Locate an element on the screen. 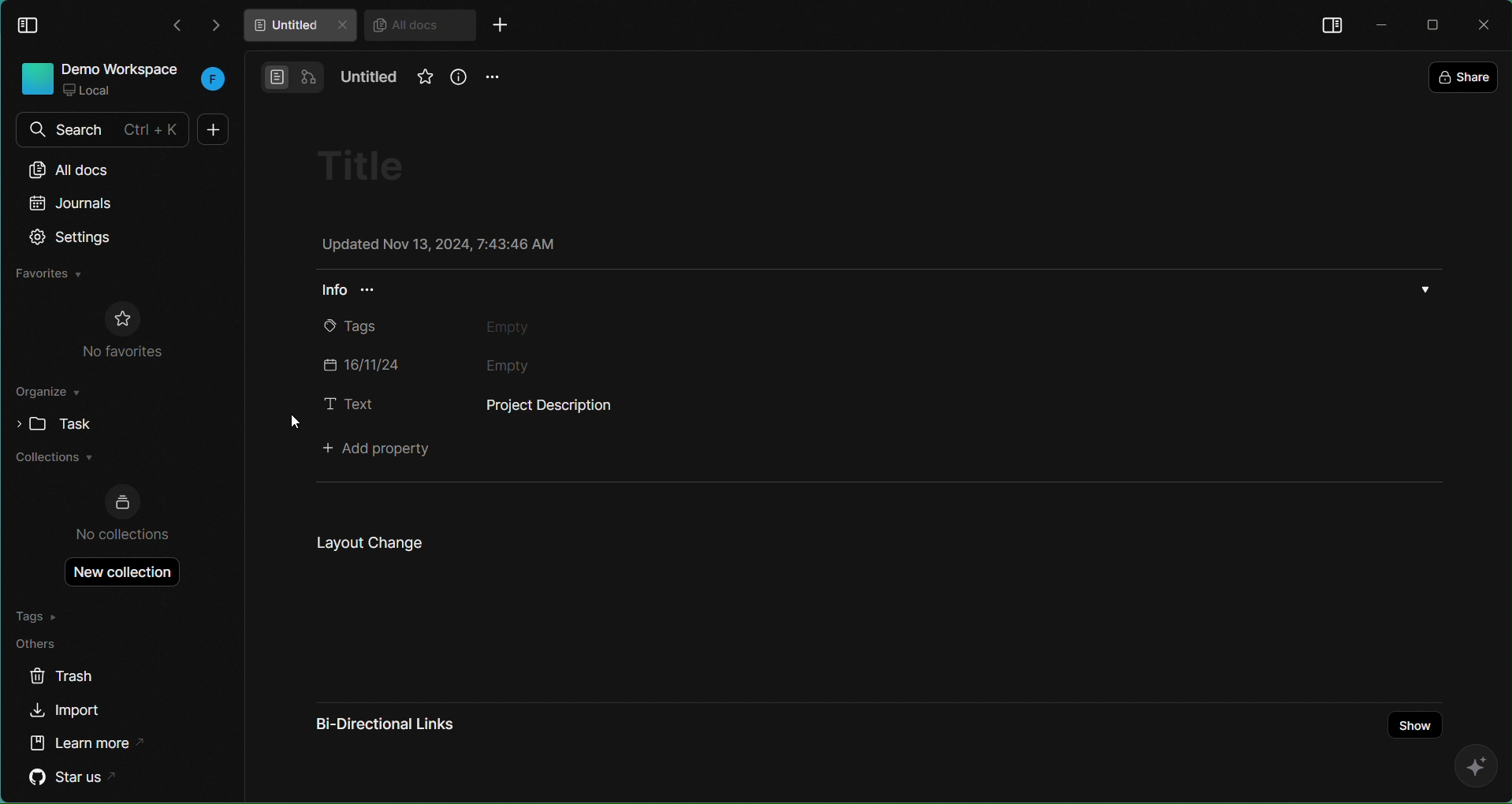 Image resolution: width=1512 pixels, height=804 pixels. Collections » is located at coordinates (54, 460).